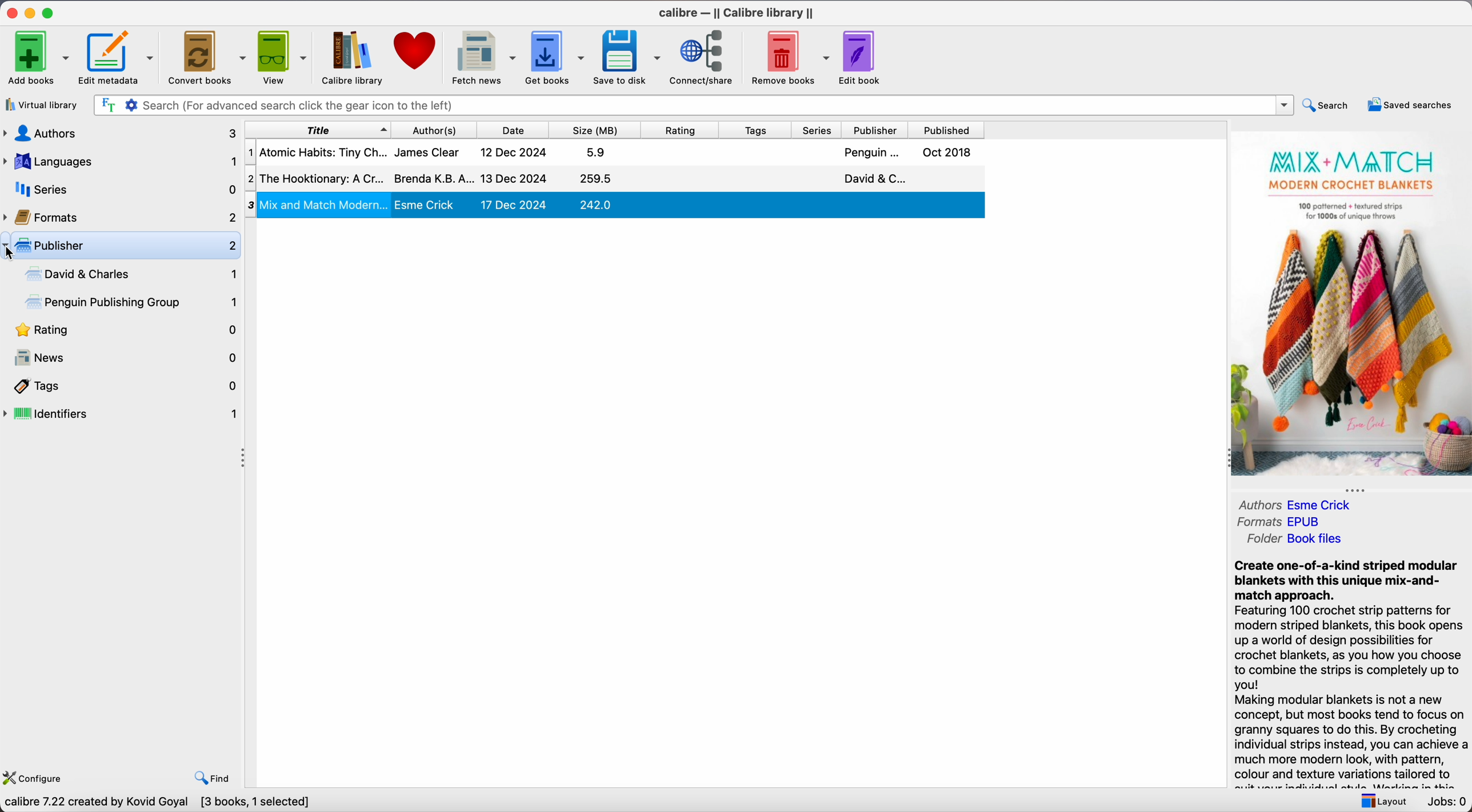 The width and height of the screenshot is (1472, 812). I want to click on size, so click(599, 130).